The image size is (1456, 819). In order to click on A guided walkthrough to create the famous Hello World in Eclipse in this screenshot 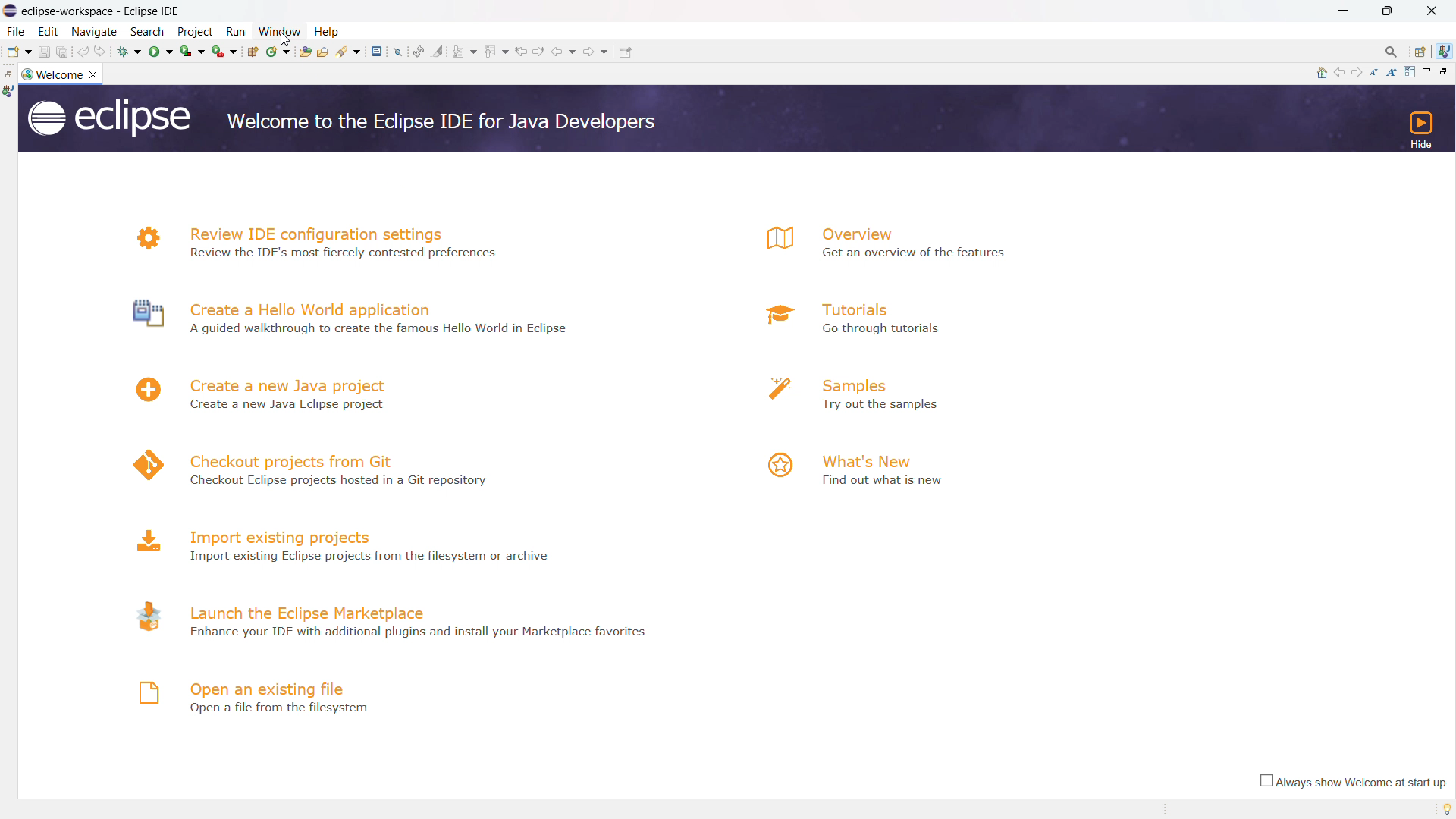, I will do `click(381, 328)`.